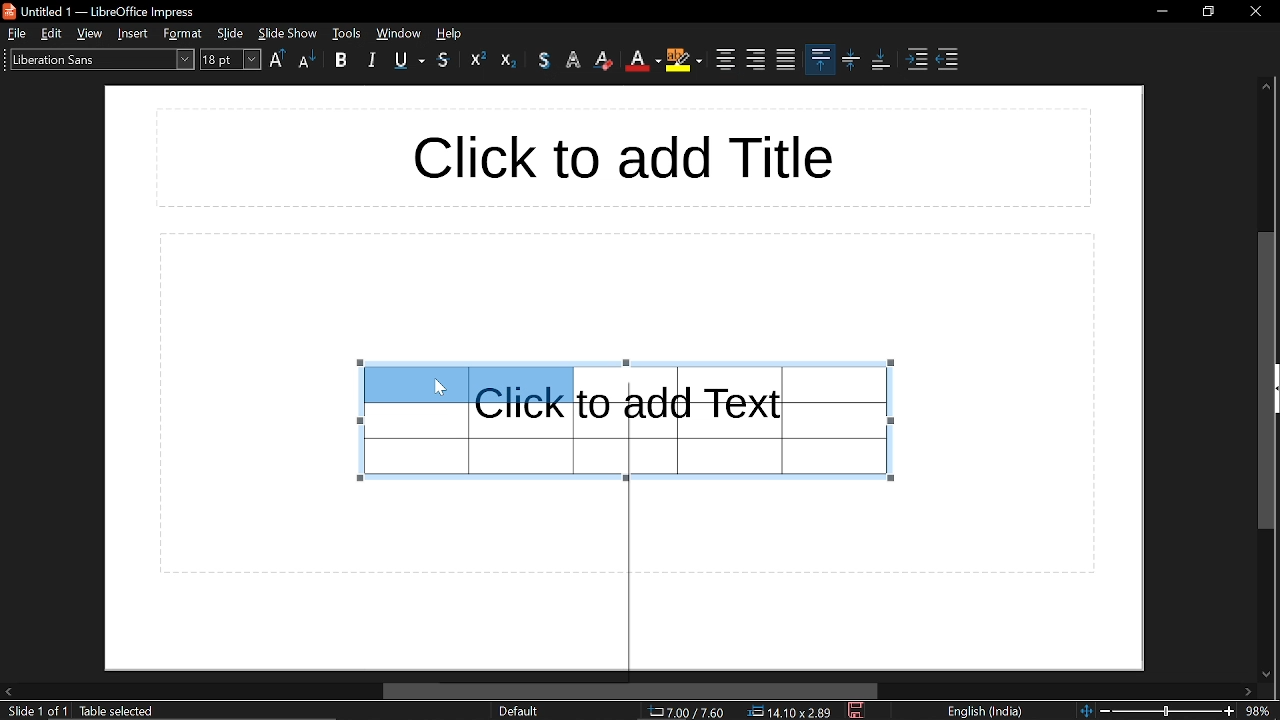  What do you see at coordinates (398, 33) in the screenshot?
I see `tools` at bounding box center [398, 33].